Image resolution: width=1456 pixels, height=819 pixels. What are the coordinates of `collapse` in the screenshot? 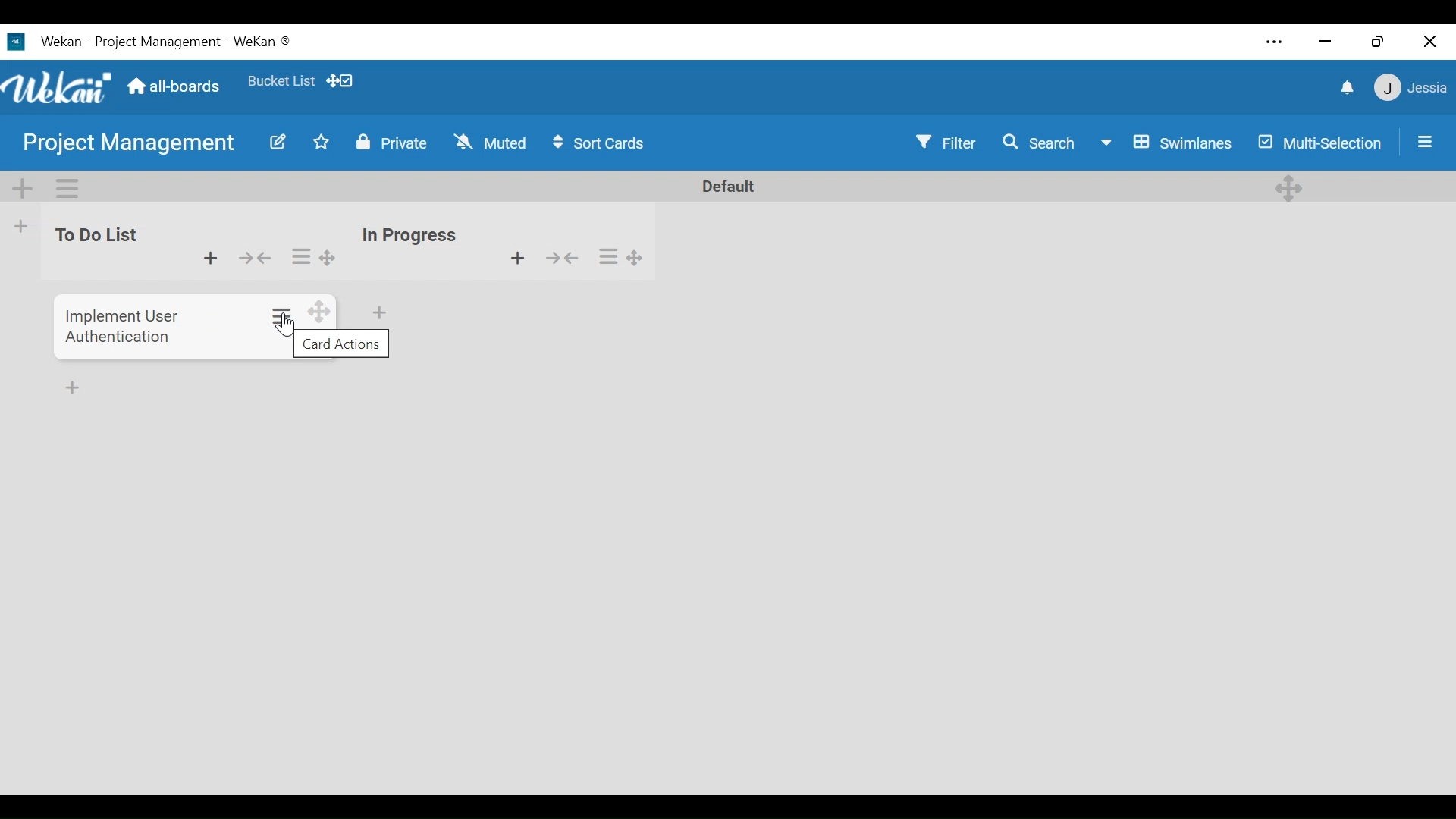 It's located at (564, 259).